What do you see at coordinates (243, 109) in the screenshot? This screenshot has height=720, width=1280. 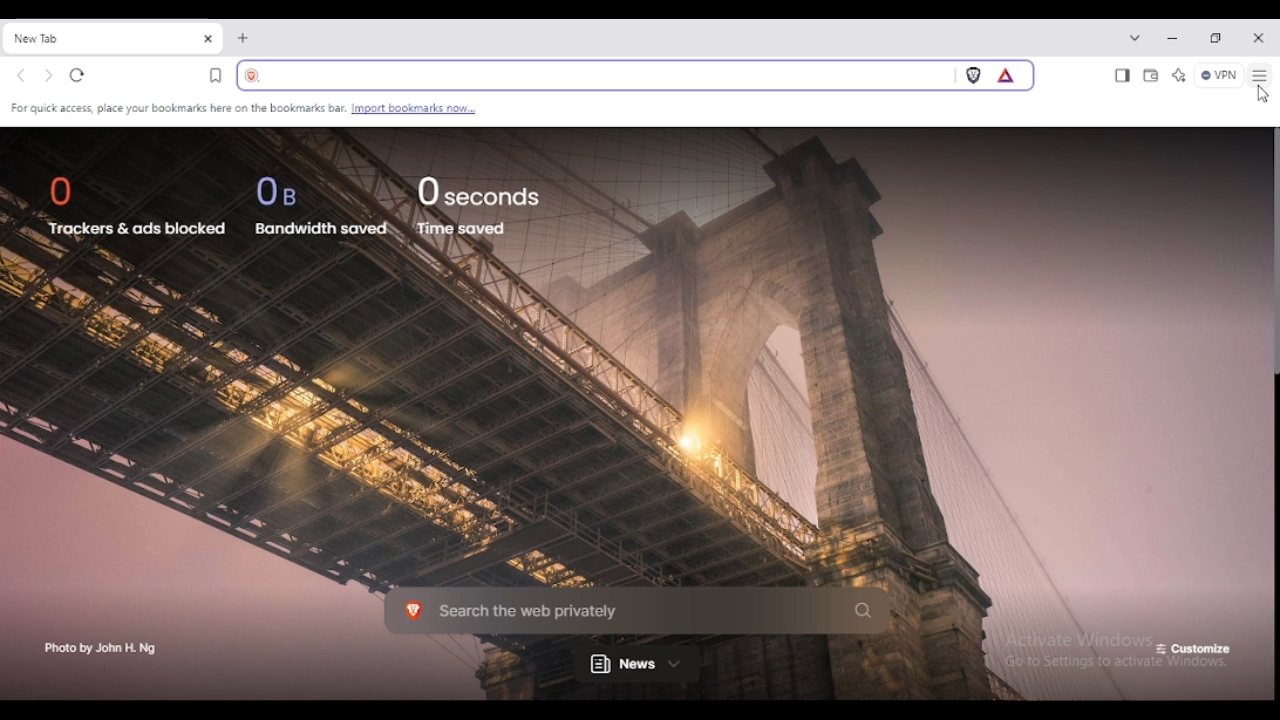 I see `bookmark settings` at bounding box center [243, 109].